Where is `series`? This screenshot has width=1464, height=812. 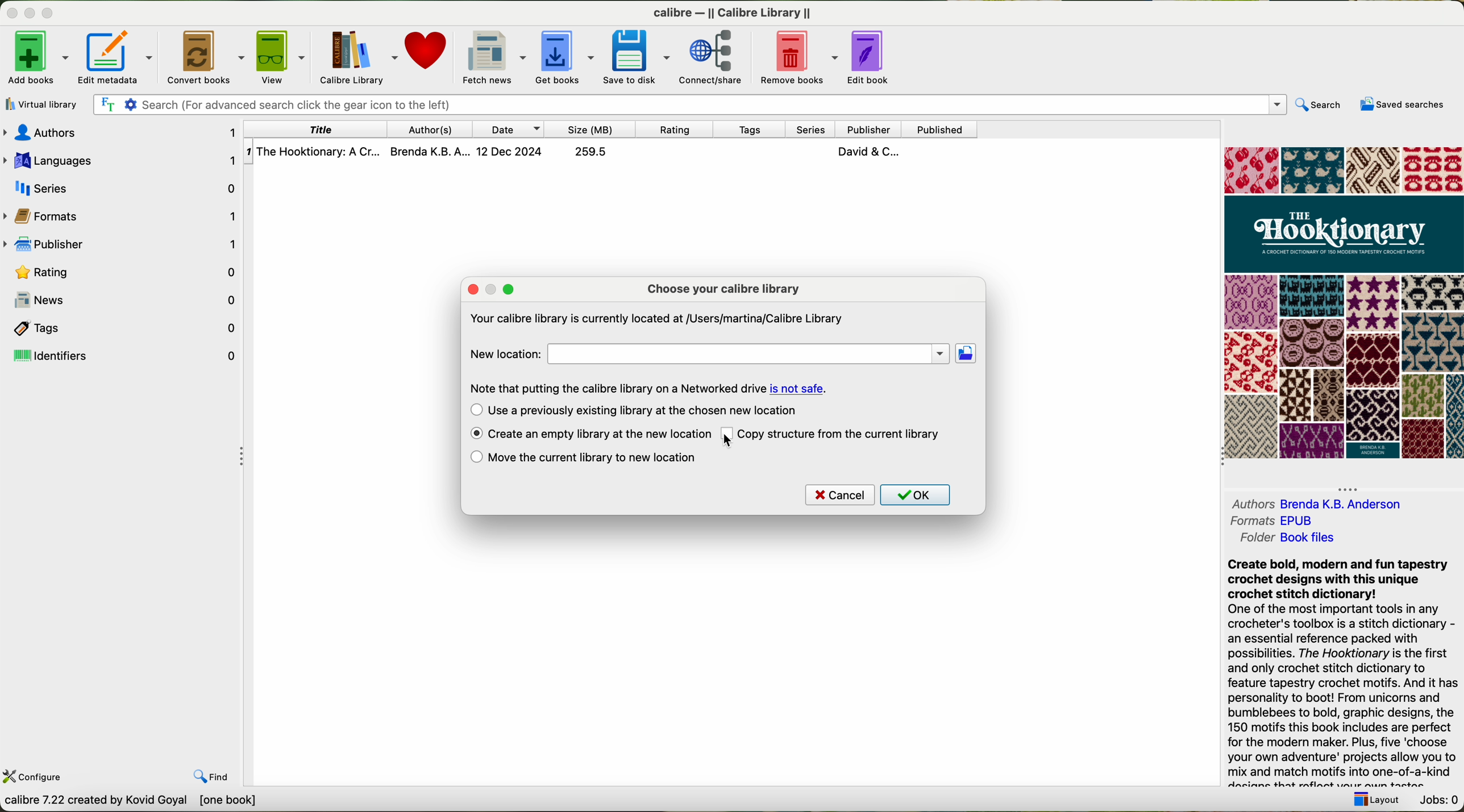
series is located at coordinates (809, 128).